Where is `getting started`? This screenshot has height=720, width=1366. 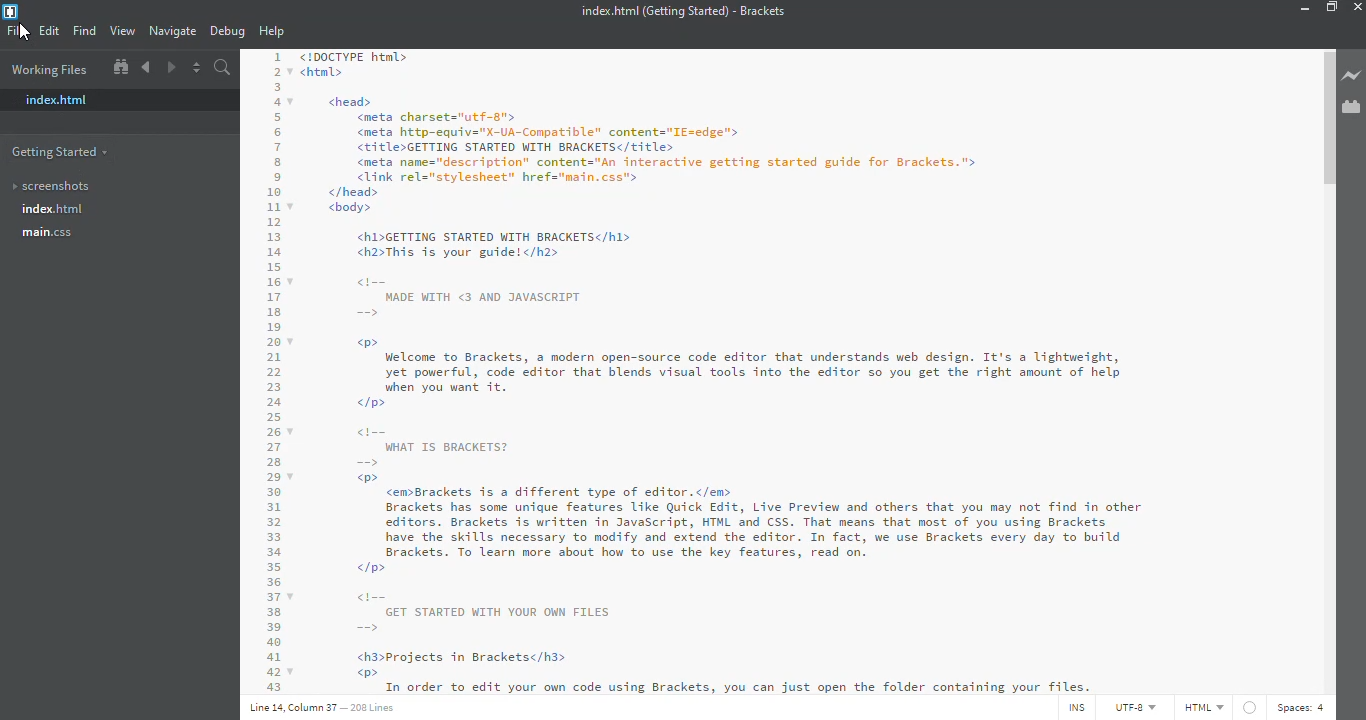
getting started is located at coordinates (64, 152).